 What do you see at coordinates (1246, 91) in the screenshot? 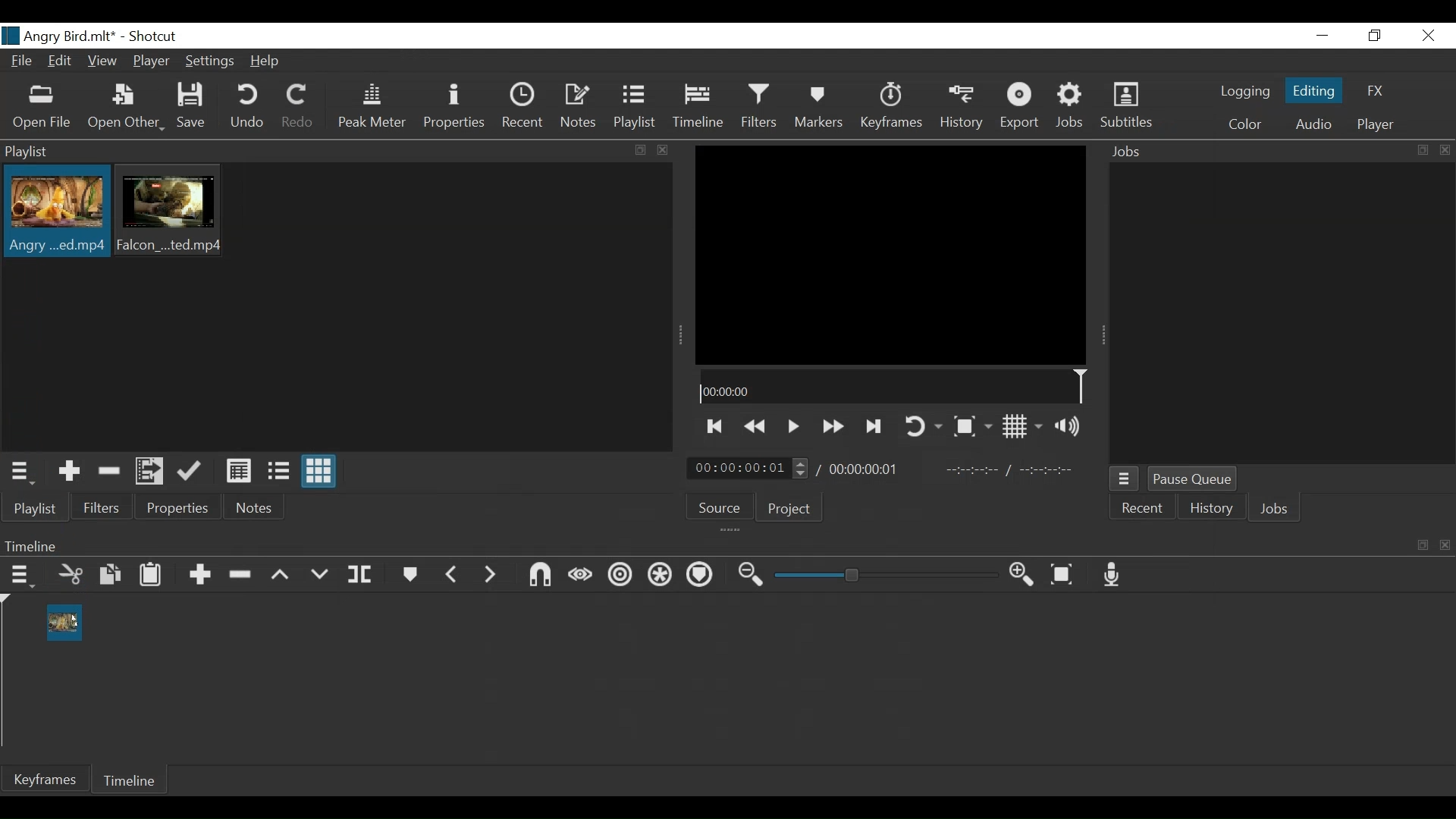
I see `logging` at bounding box center [1246, 91].